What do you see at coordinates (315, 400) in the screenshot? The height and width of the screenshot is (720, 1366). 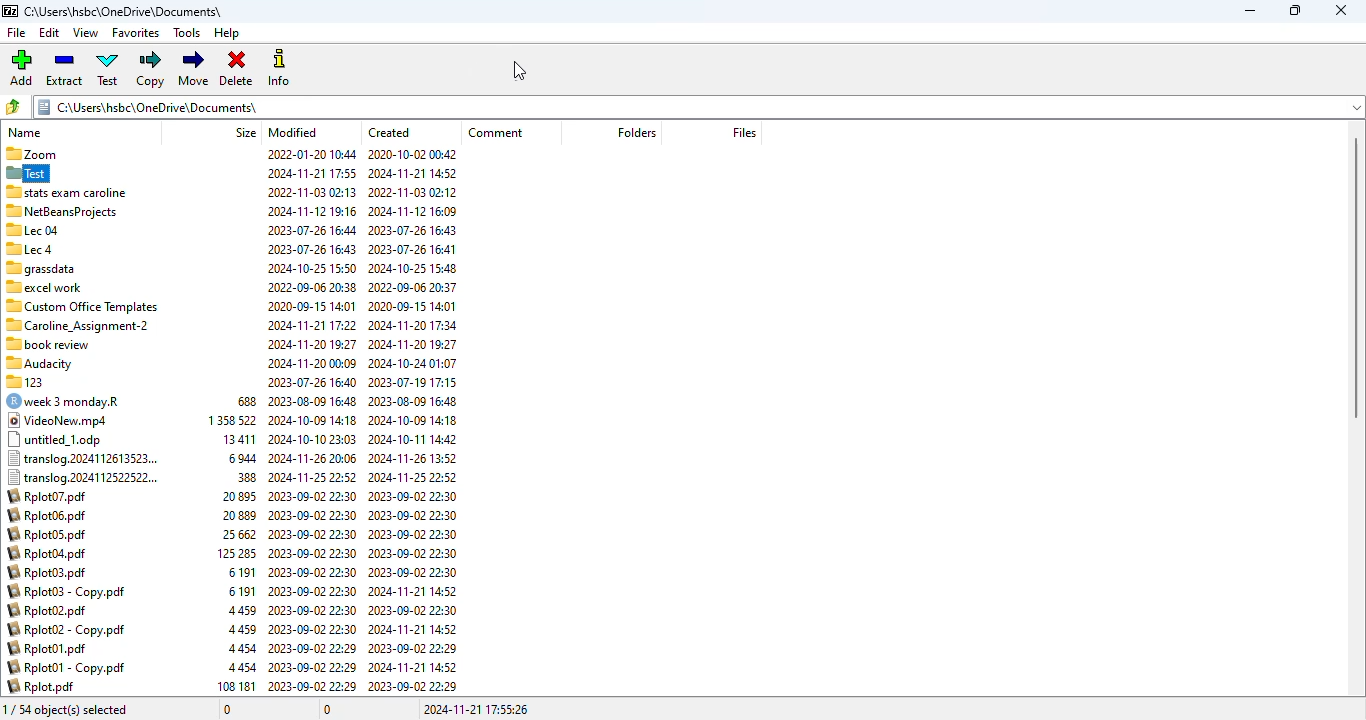 I see `2023-08-09 16:48` at bounding box center [315, 400].